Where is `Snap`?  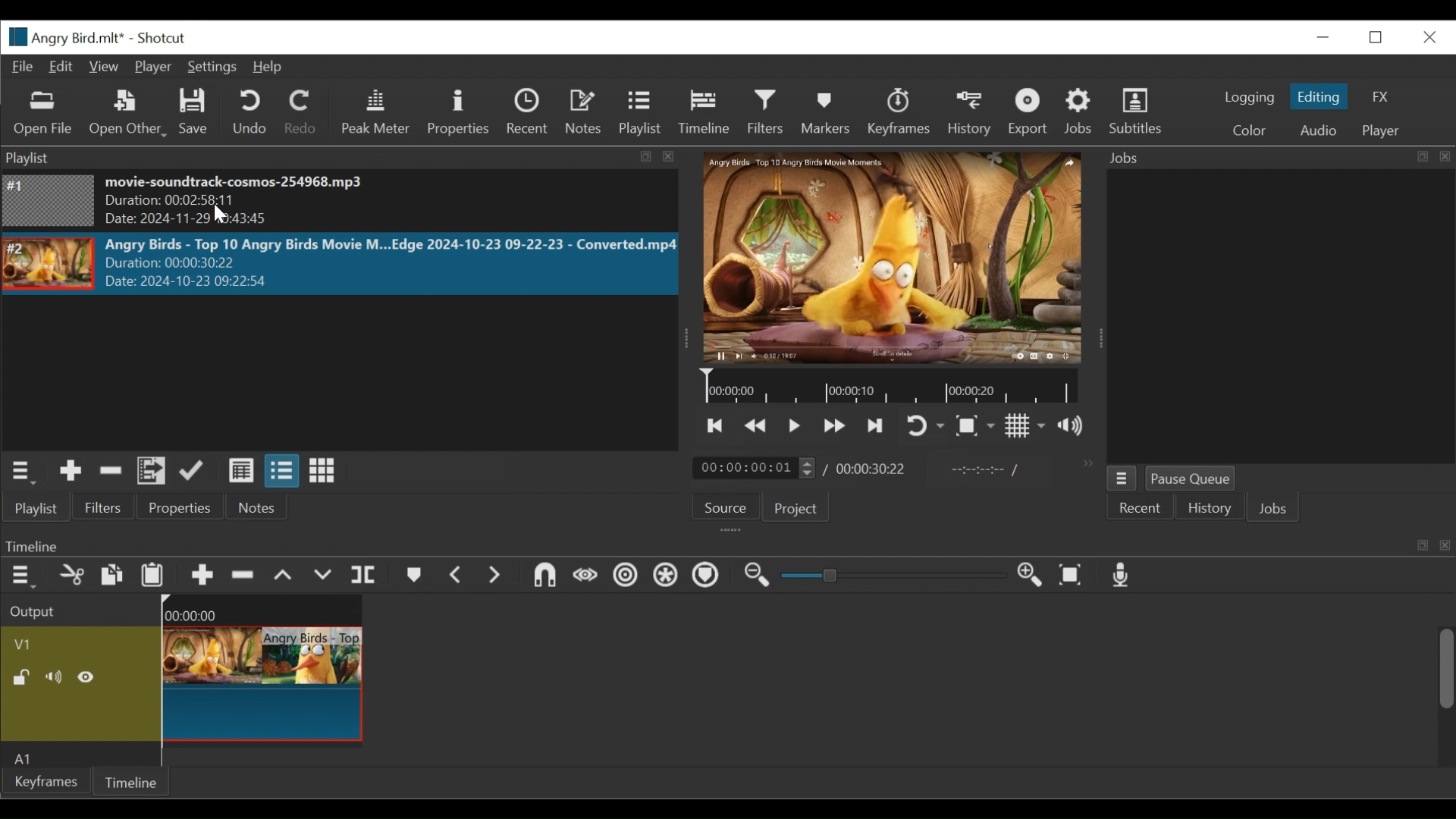
Snap is located at coordinates (542, 577).